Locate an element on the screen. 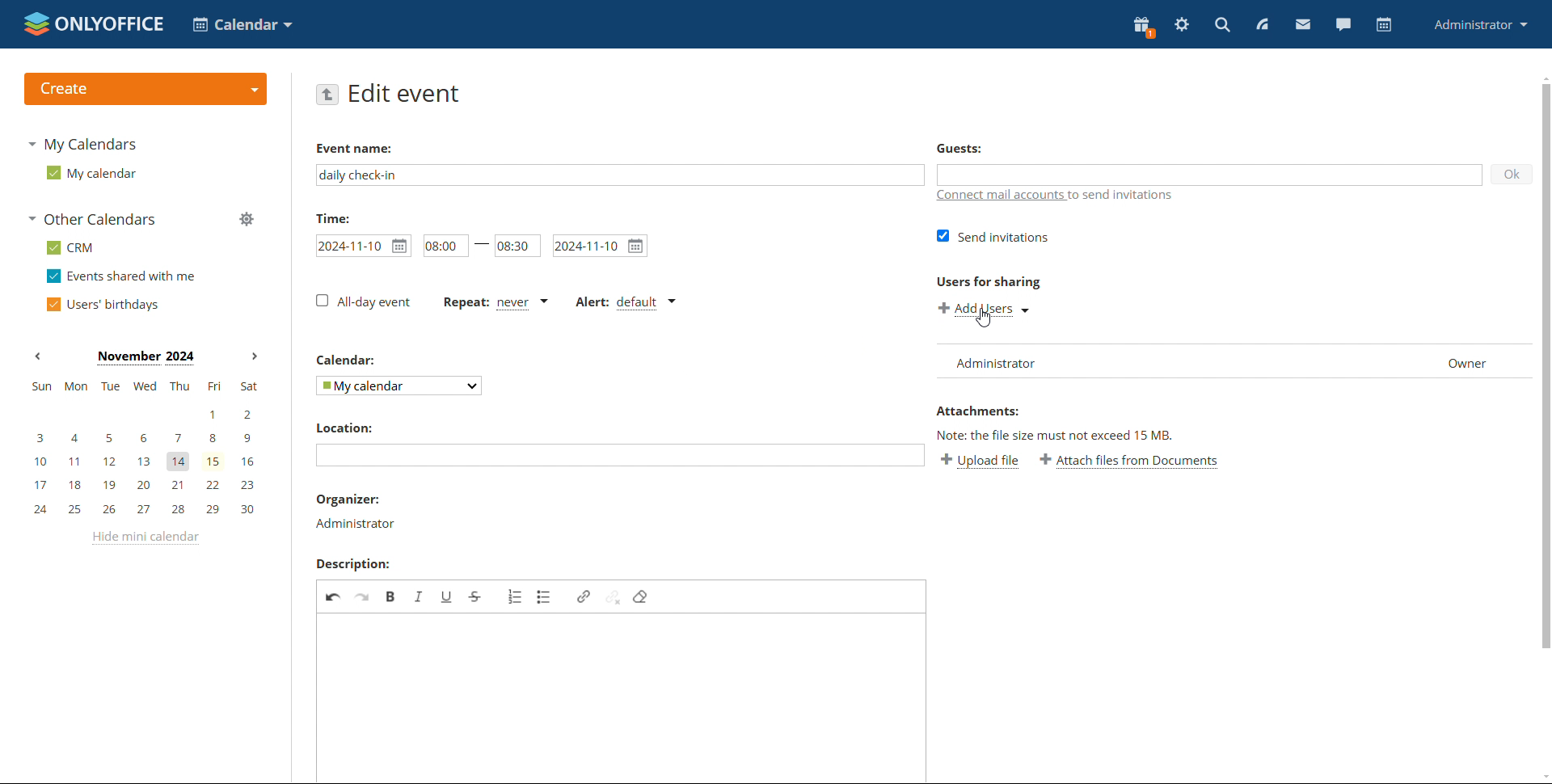 Image resolution: width=1552 pixels, height=784 pixels. start date is located at coordinates (364, 246).